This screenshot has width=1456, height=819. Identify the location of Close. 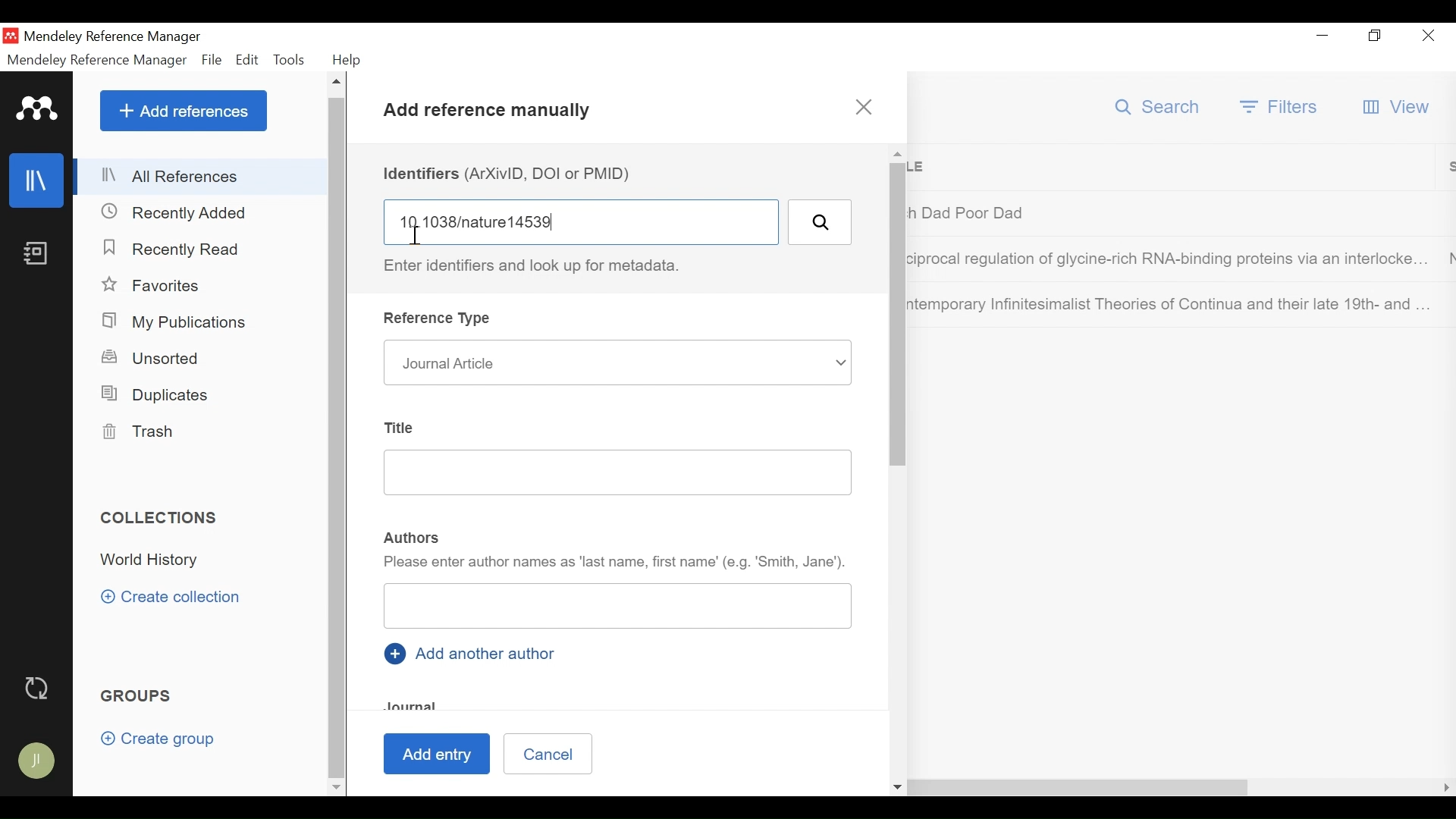
(1430, 36).